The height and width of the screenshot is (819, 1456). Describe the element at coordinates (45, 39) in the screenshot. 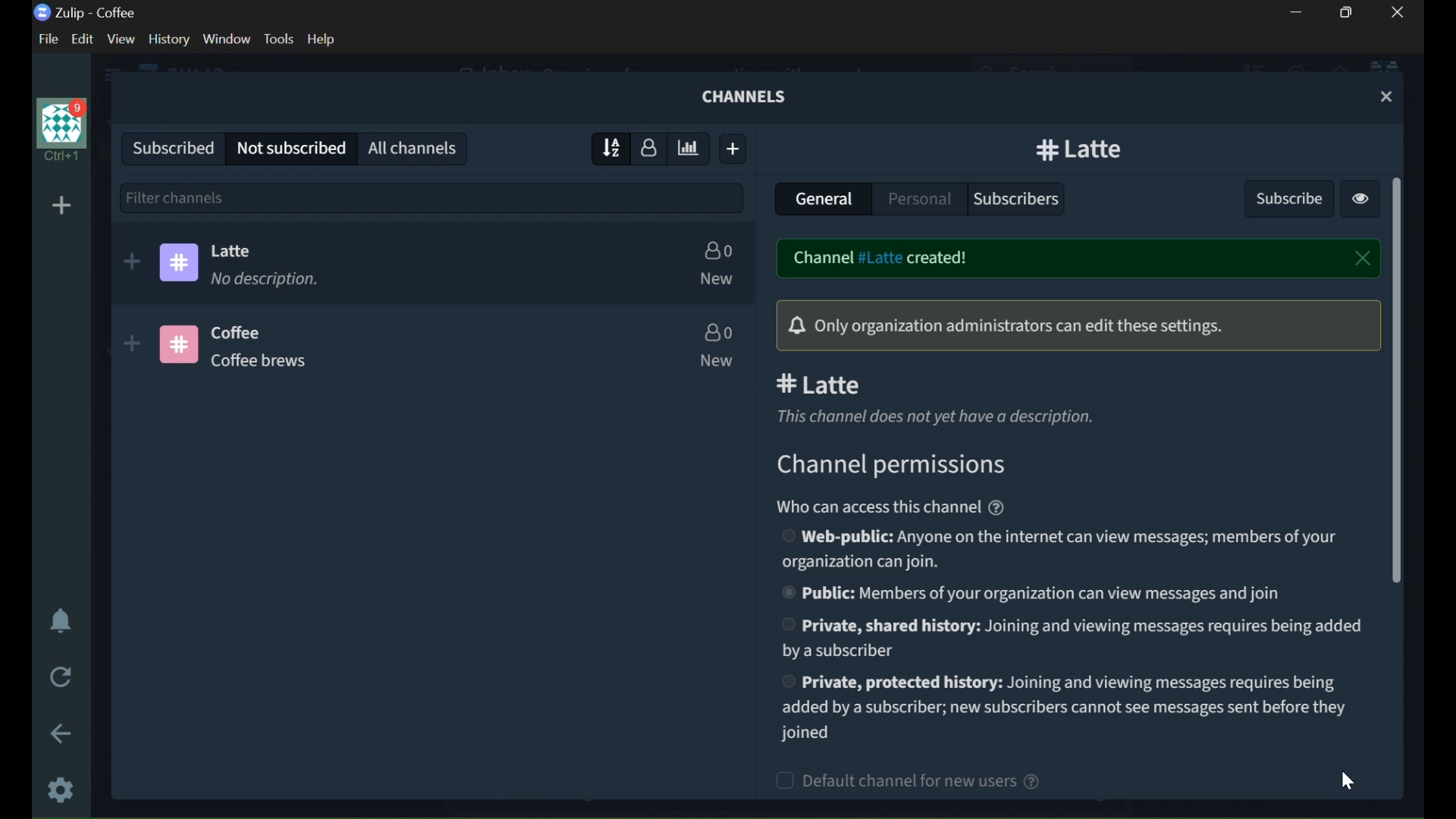

I see `file` at that location.